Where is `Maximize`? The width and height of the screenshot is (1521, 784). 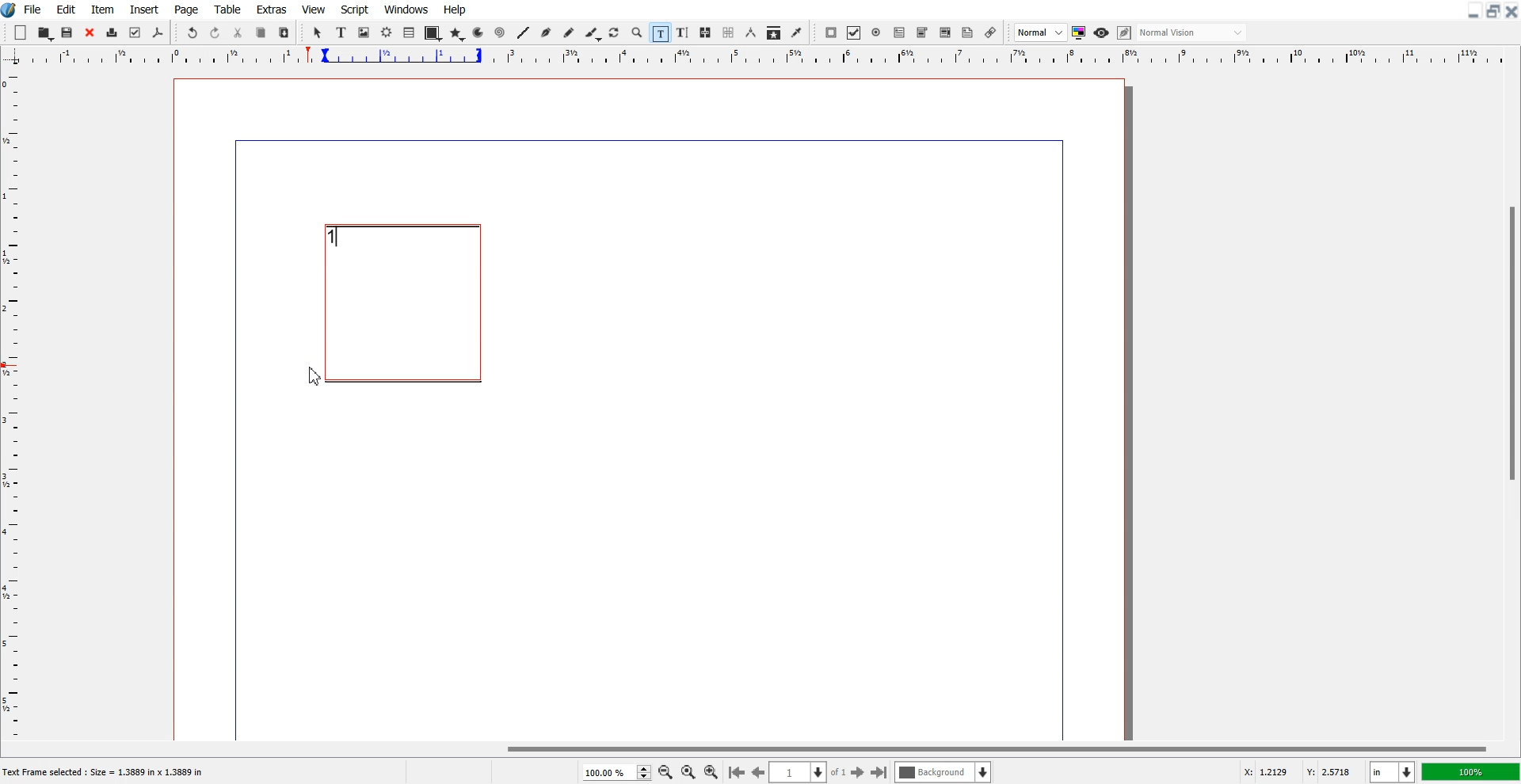 Maximize is located at coordinates (1494, 10).